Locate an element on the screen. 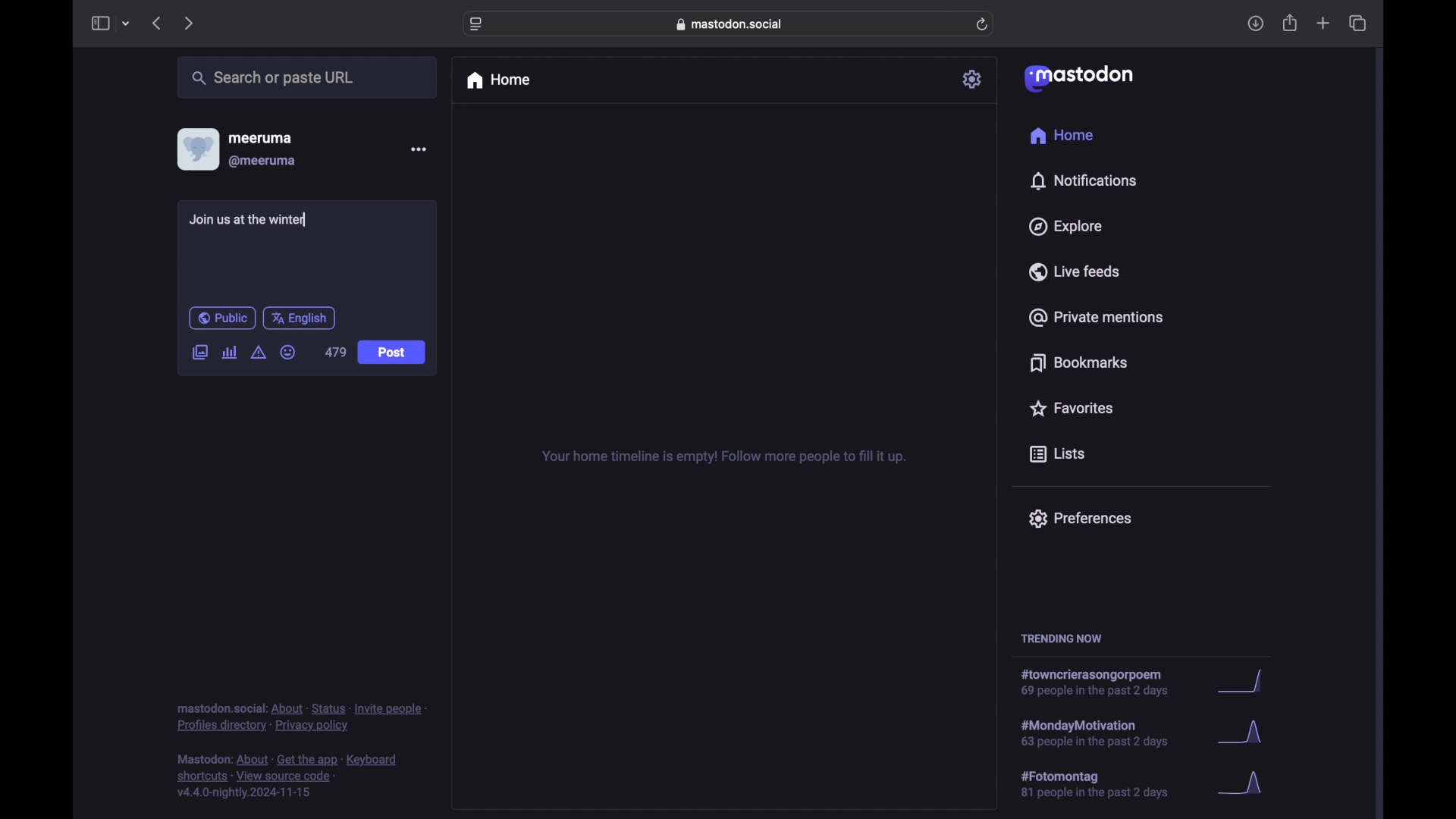 The width and height of the screenshot is (1456, 819). download is located at coordinates (1256, 24).